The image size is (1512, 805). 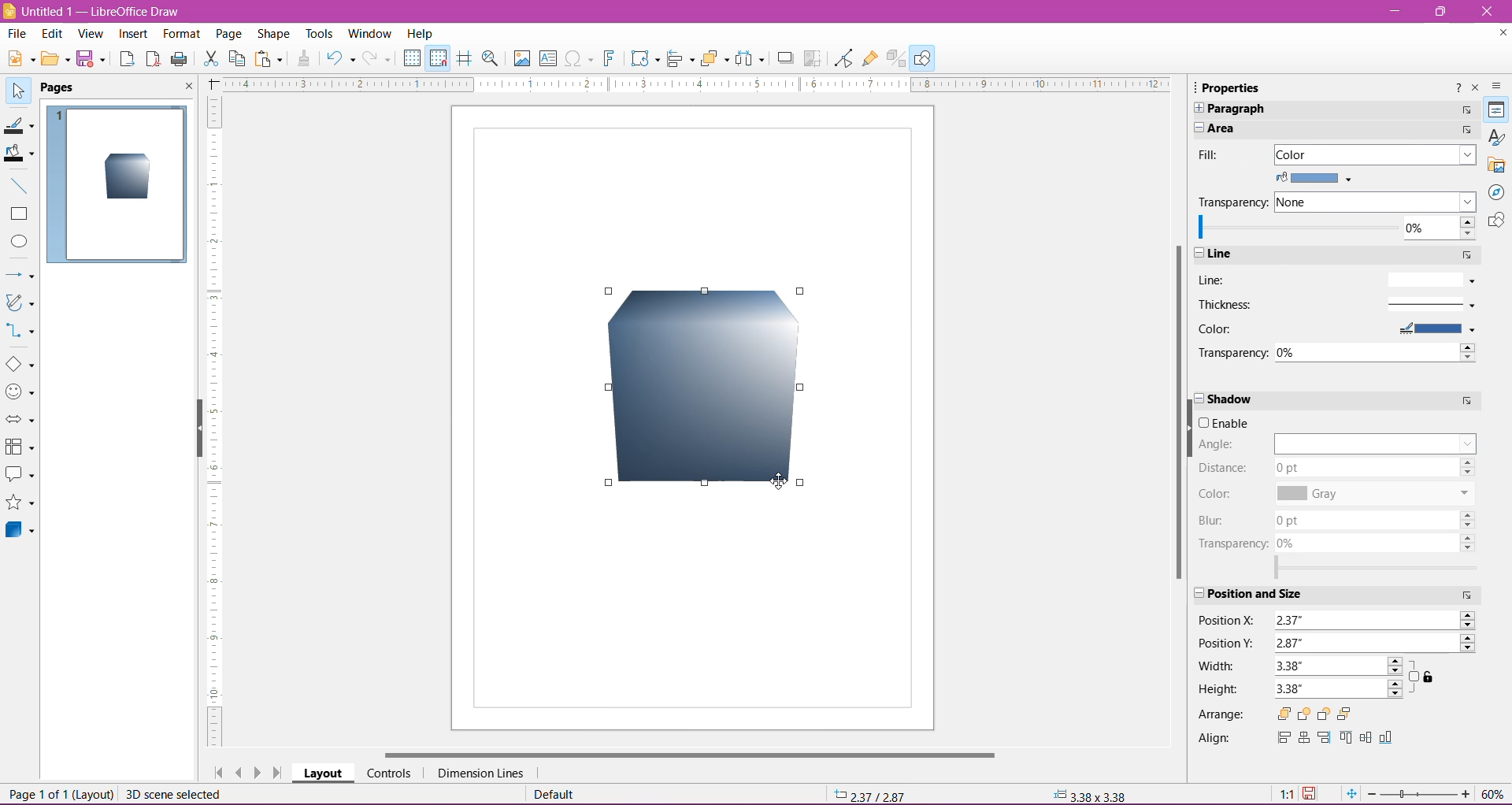 I want to click on Stars and Banners, so click(x=20, y=504).